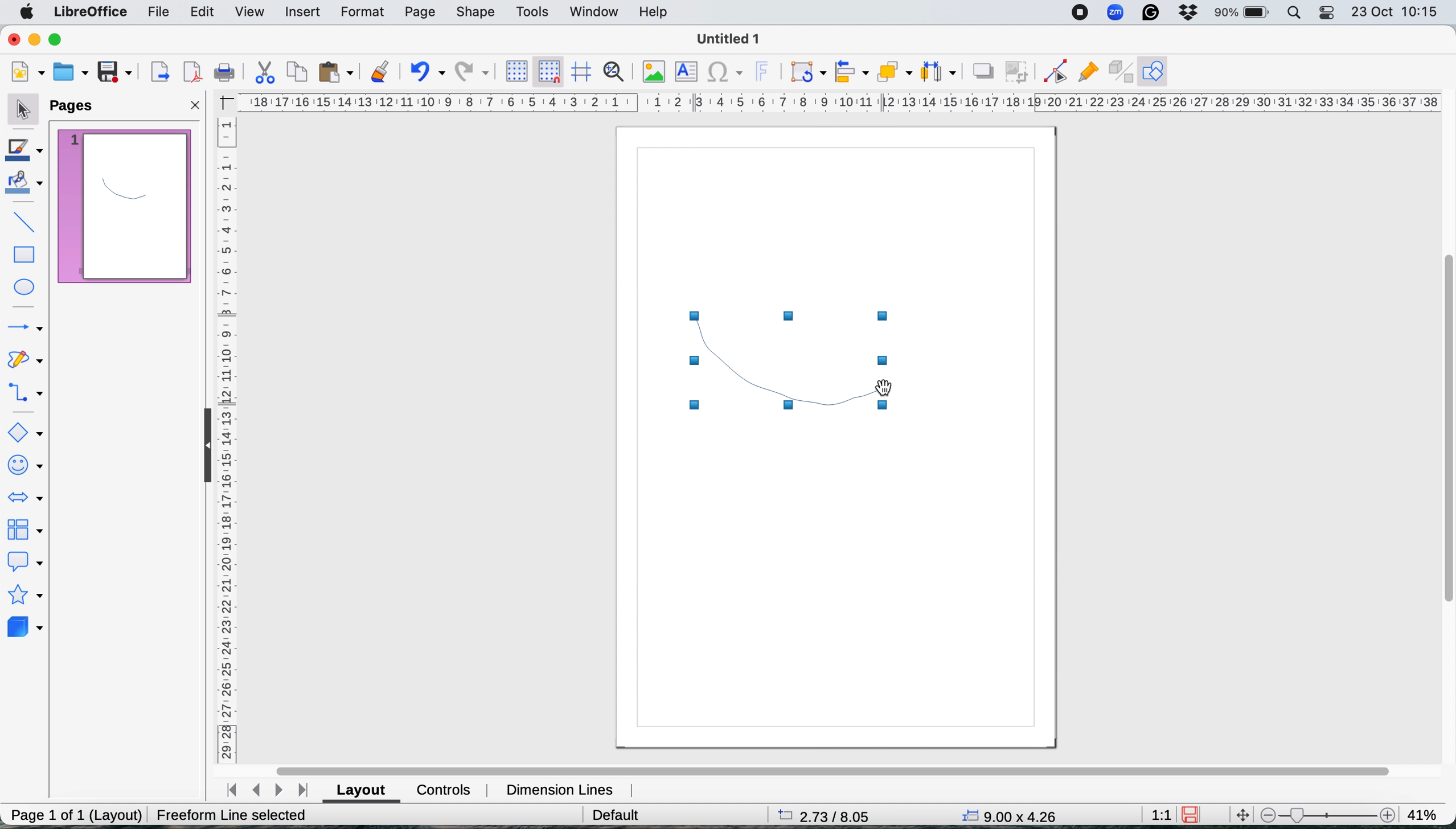 The height and width of the screenshot is (829, 1456). Describe the element at coordinates (1244, 815) in the screenshot. I see `move` at that location.